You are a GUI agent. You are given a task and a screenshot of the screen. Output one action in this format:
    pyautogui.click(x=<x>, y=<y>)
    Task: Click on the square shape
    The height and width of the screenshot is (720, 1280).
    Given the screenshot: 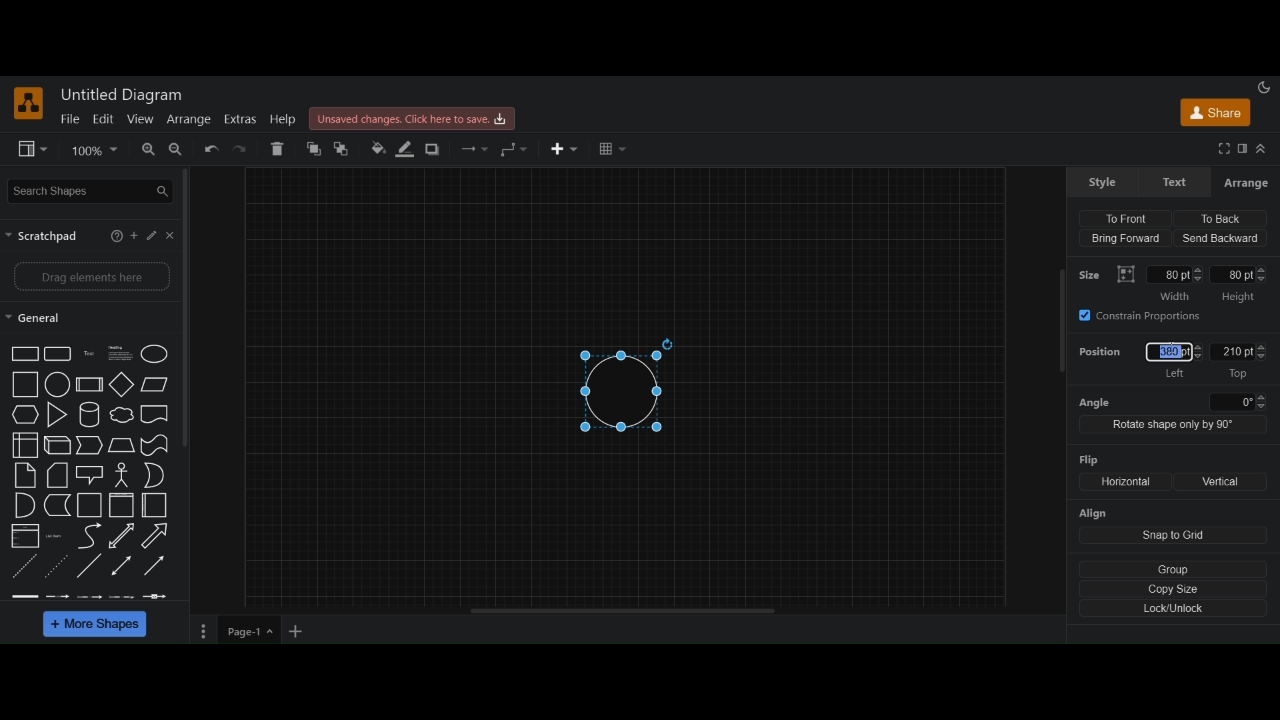 What is the action you would take?
    pyautogui.click(x=122, y=506)
    